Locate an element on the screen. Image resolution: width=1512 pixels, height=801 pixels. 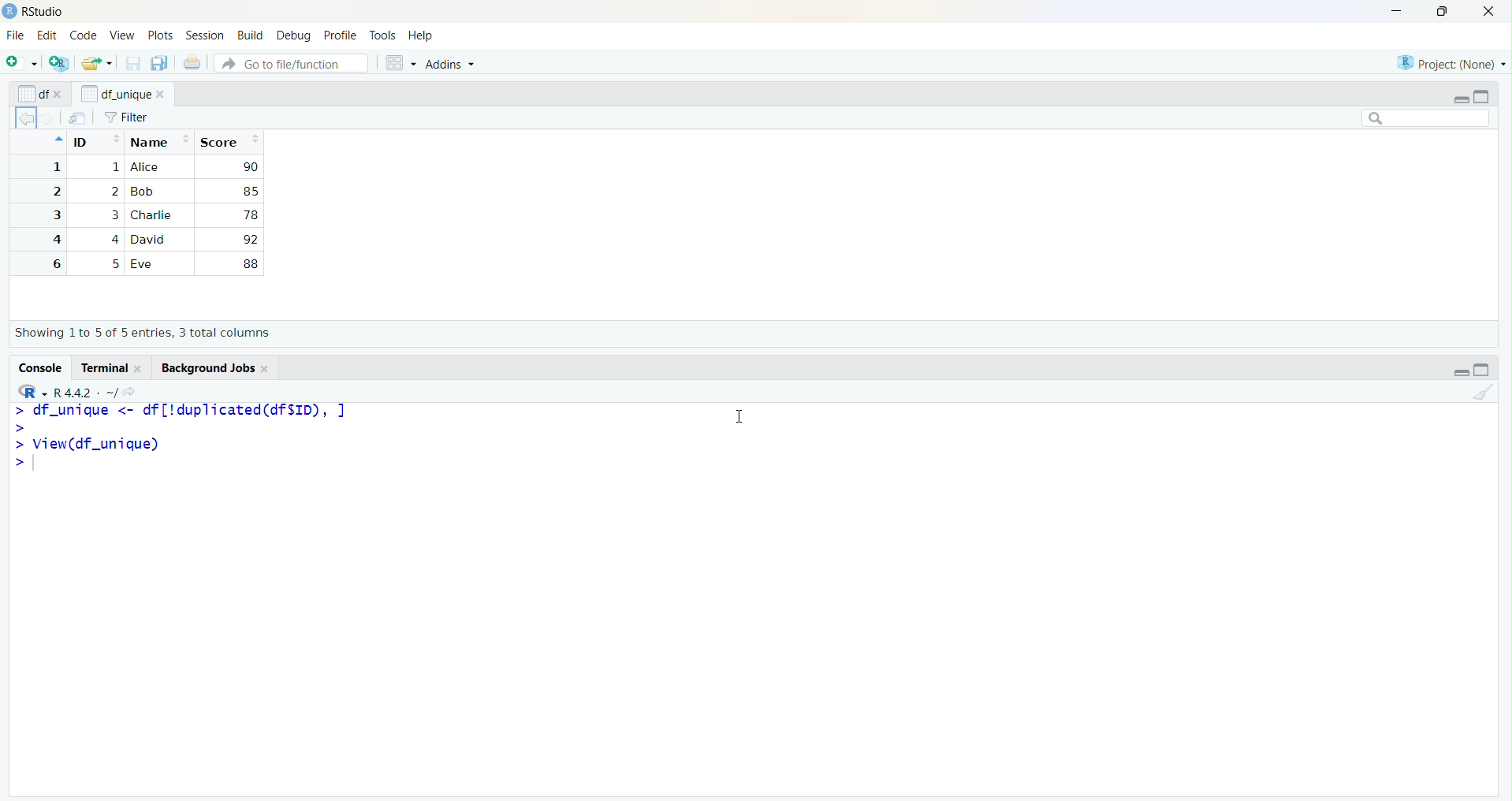
filter is located at coordinates (127, 117).